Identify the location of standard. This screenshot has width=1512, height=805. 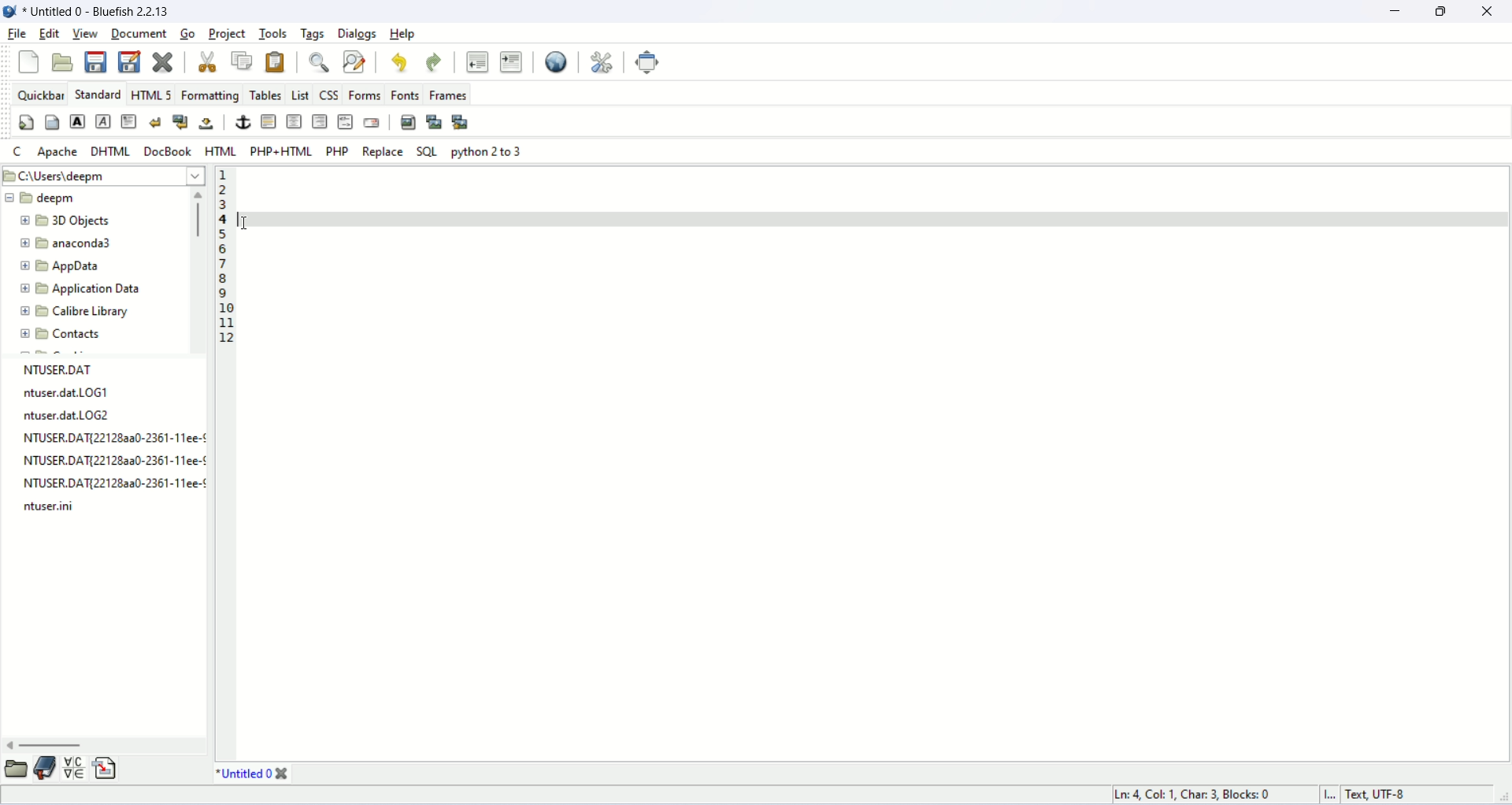
(97, 95).